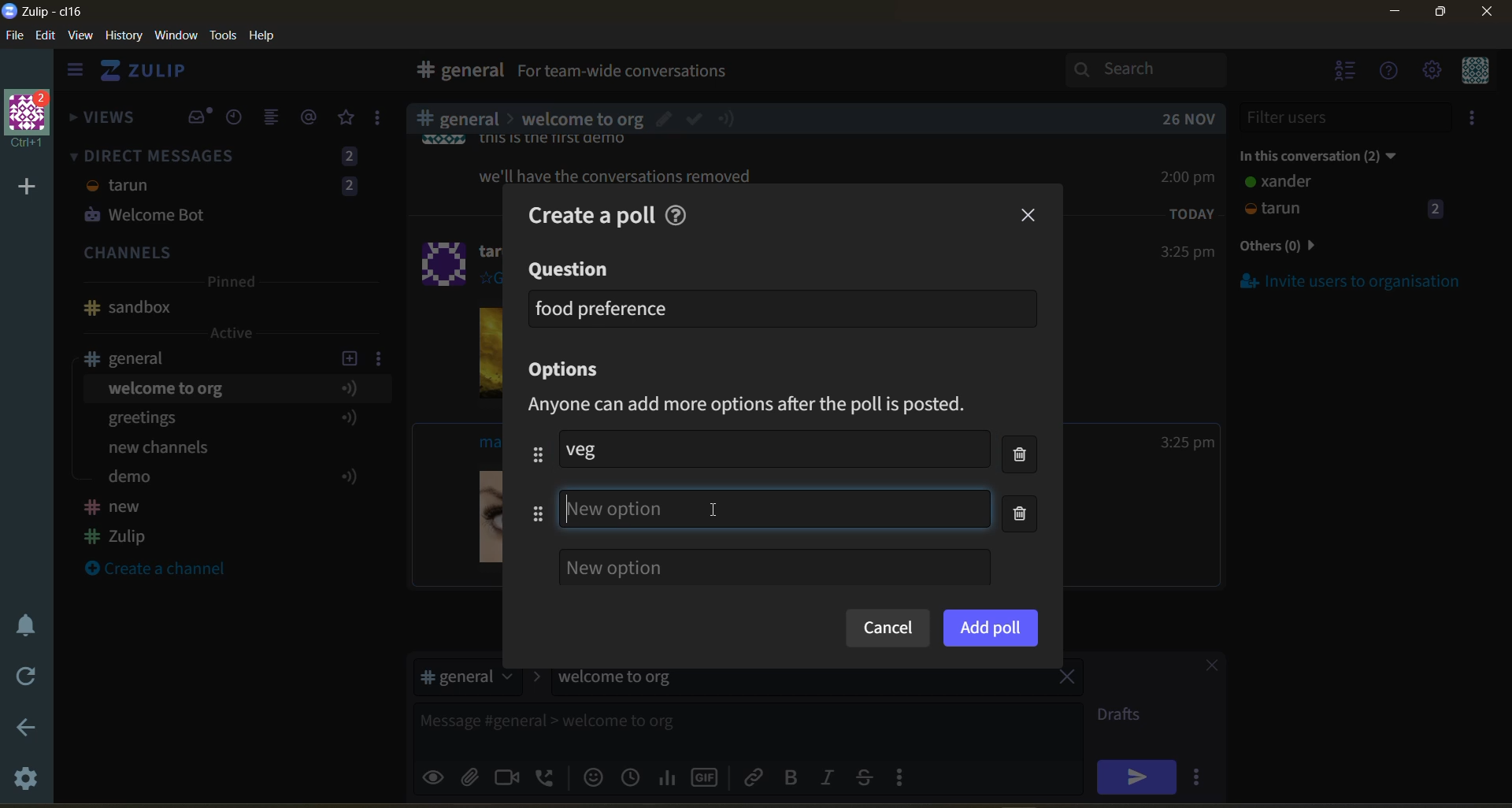 Image resolution: width=1512 pixels, height=808 pixels. Describe the element at coordinates (1192, 213) in the screenshot. I see `today` at that location.